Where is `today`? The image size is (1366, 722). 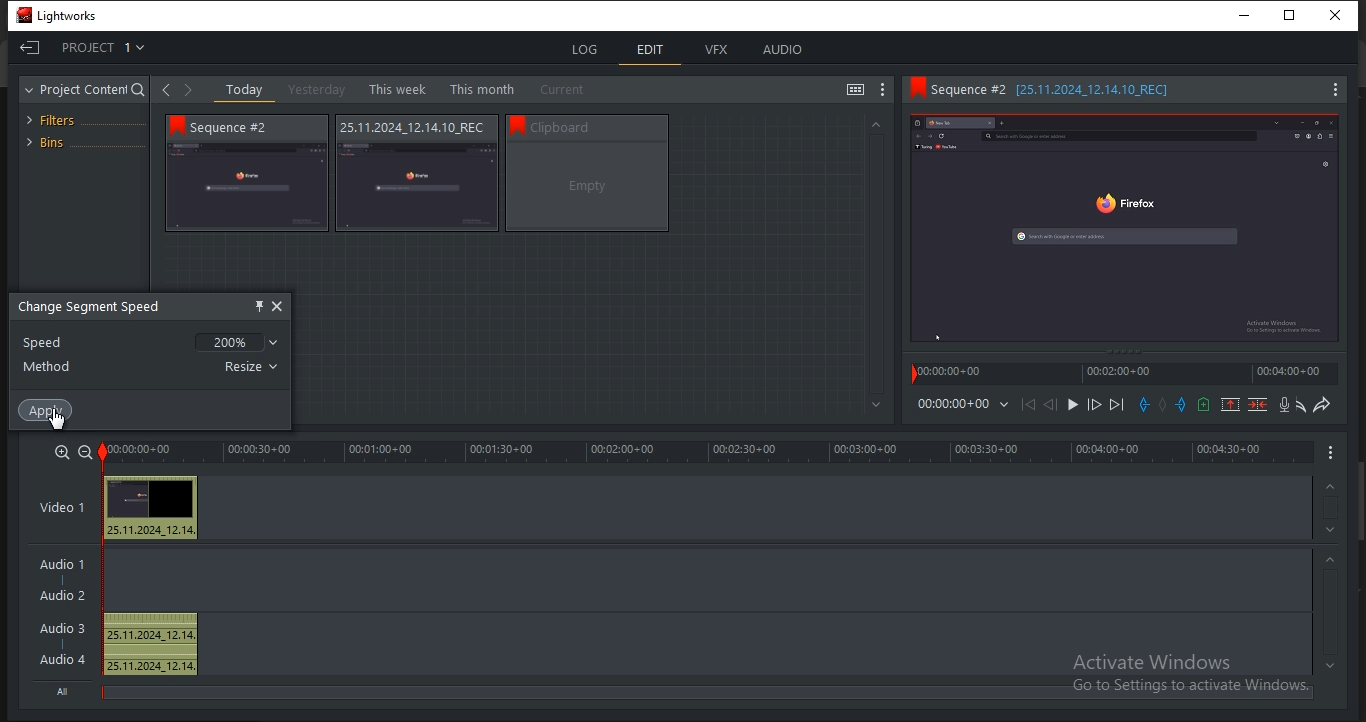 today is located at coordinates (245, 90).